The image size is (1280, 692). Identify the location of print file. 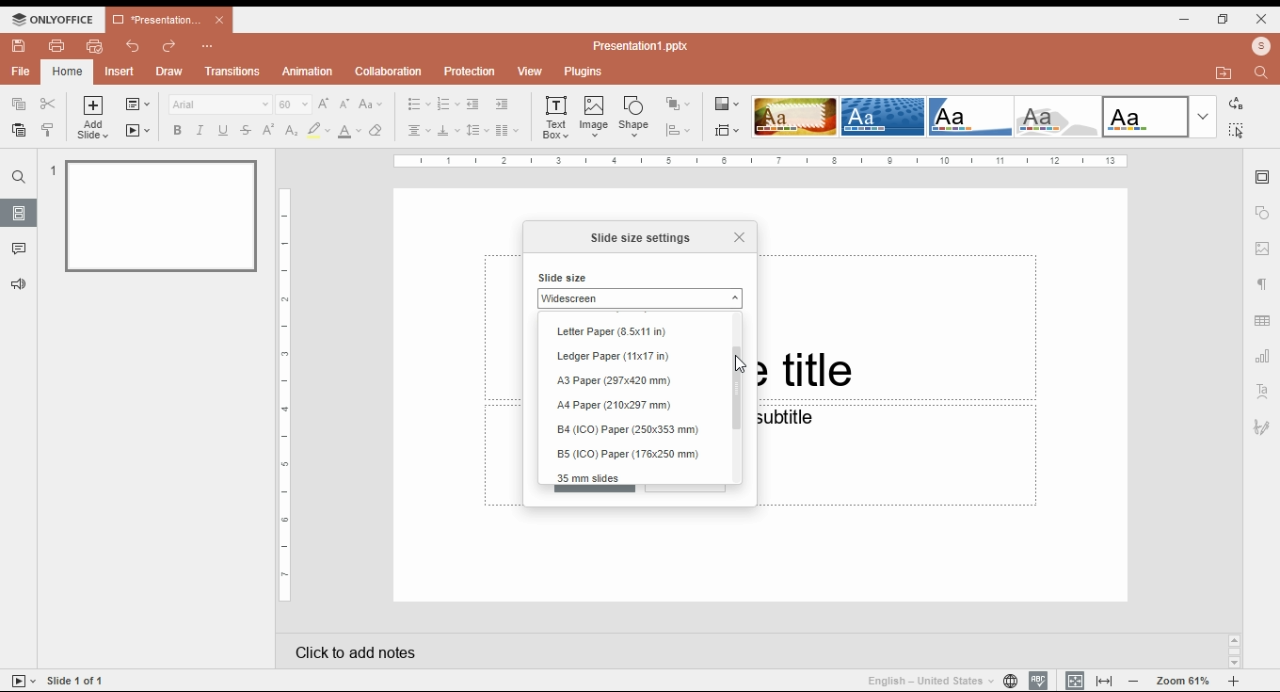
(57, 46).